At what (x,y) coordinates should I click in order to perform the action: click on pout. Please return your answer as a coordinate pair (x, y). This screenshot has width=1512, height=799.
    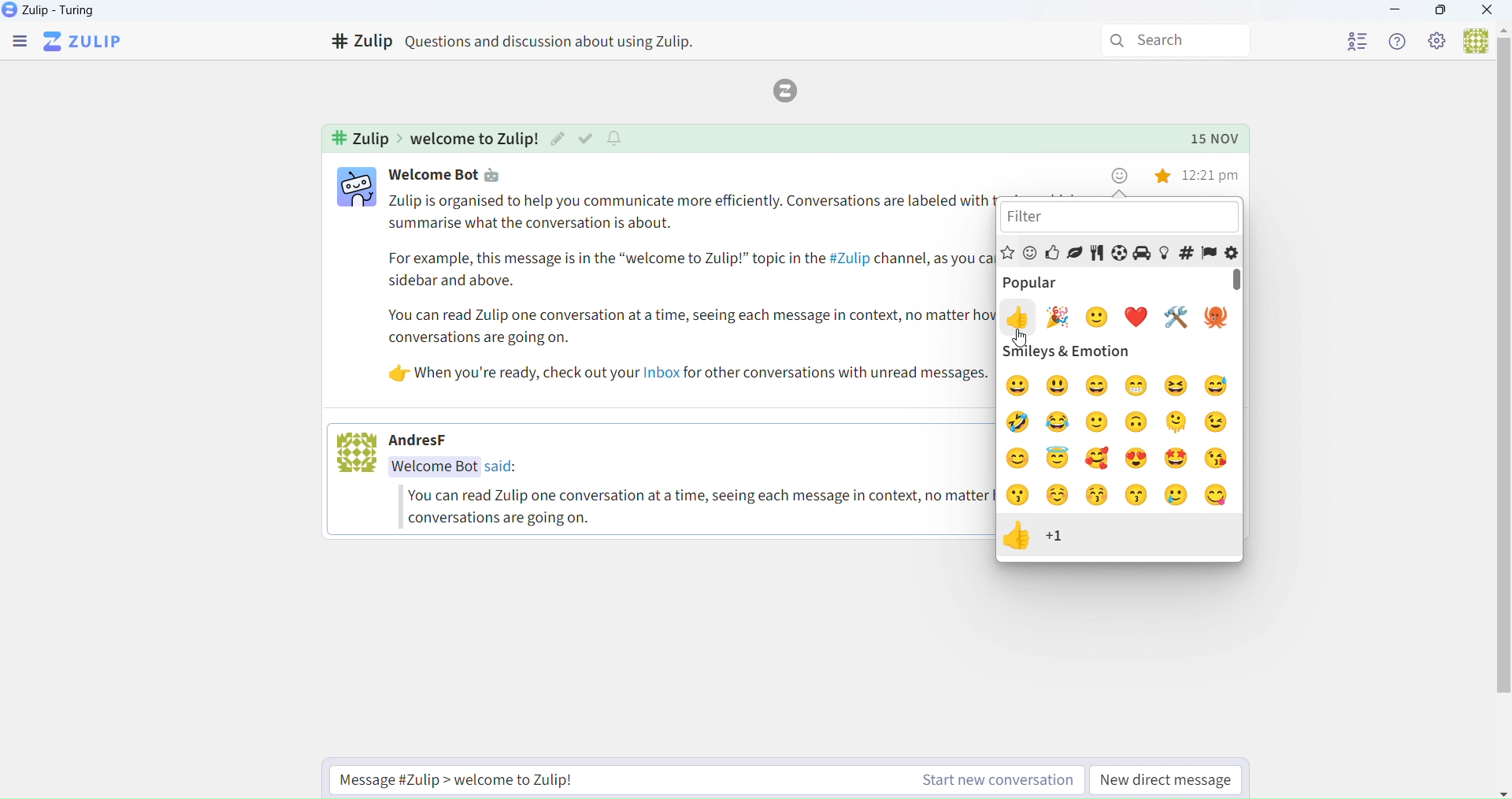
    Looking at the image, I should click on (1021, 496).